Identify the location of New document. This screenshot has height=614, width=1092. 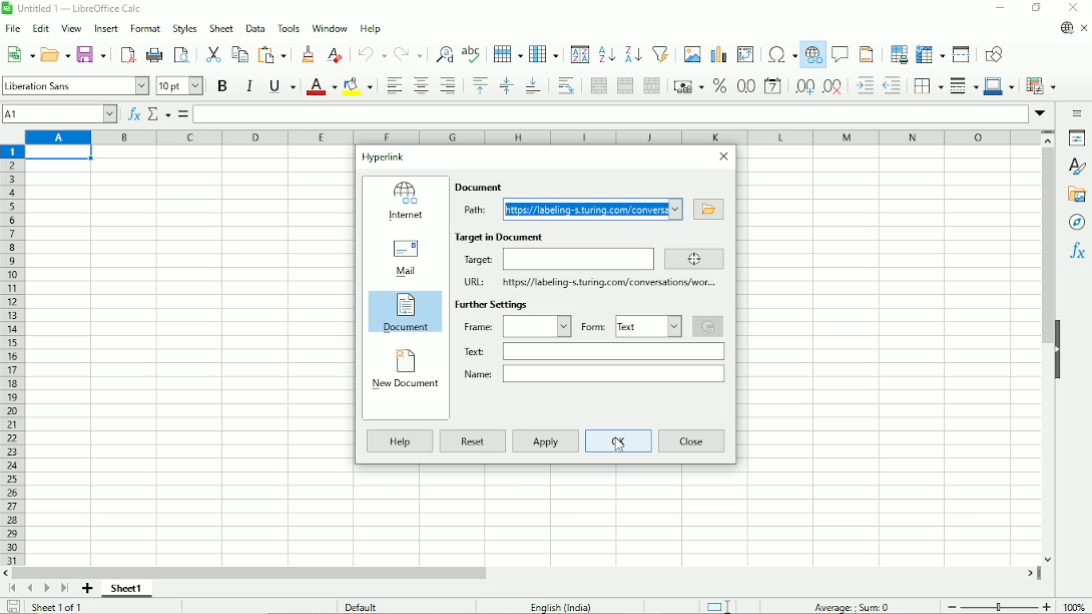
(404, 370).